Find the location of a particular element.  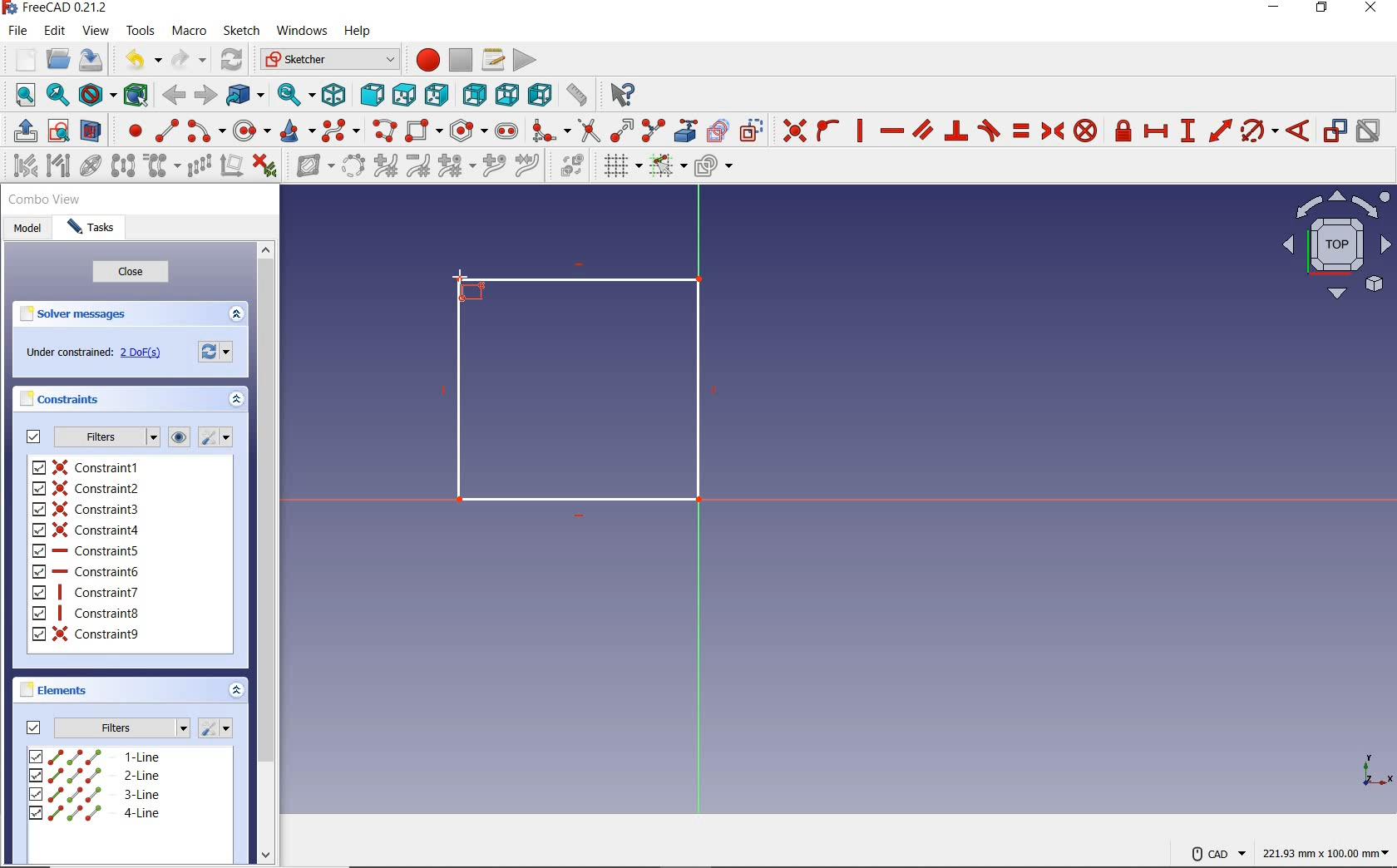

back is located at coordinates (175, 96).